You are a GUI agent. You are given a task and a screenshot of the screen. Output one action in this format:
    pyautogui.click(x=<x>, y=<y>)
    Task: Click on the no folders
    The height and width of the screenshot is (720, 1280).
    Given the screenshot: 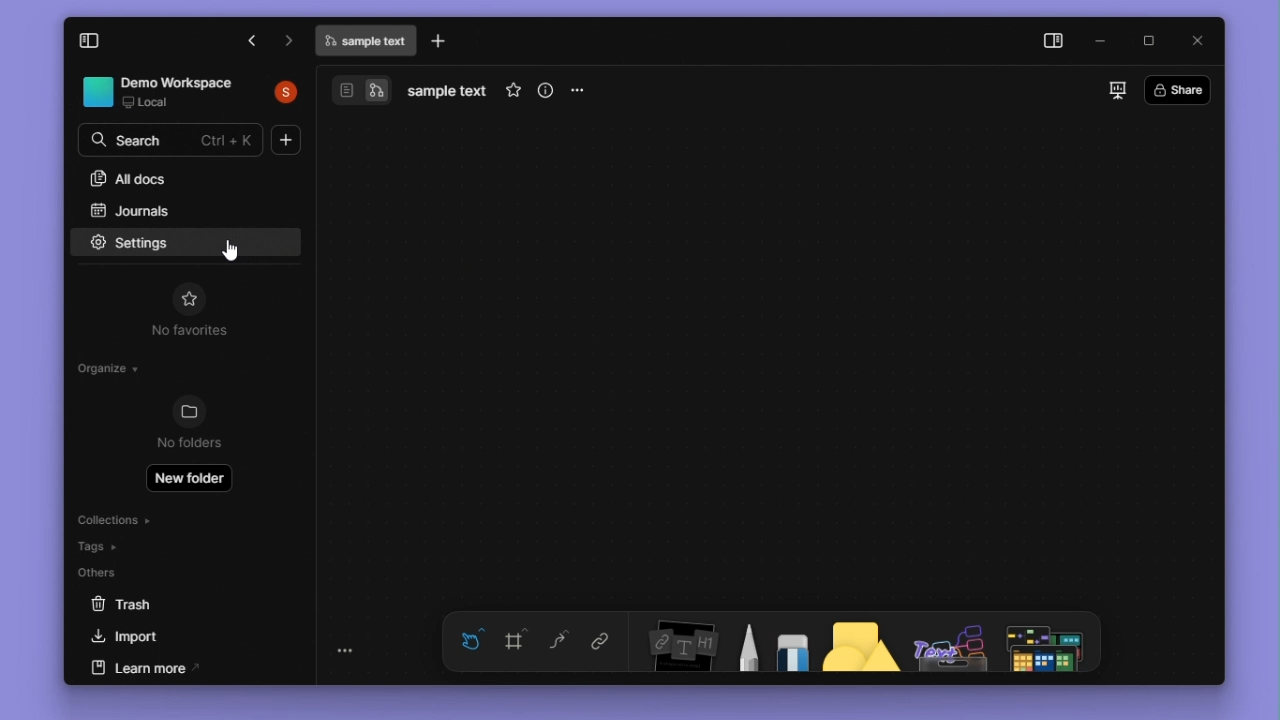 What is the action you would take?
    pyautogui.click(x=194, y=446)
    